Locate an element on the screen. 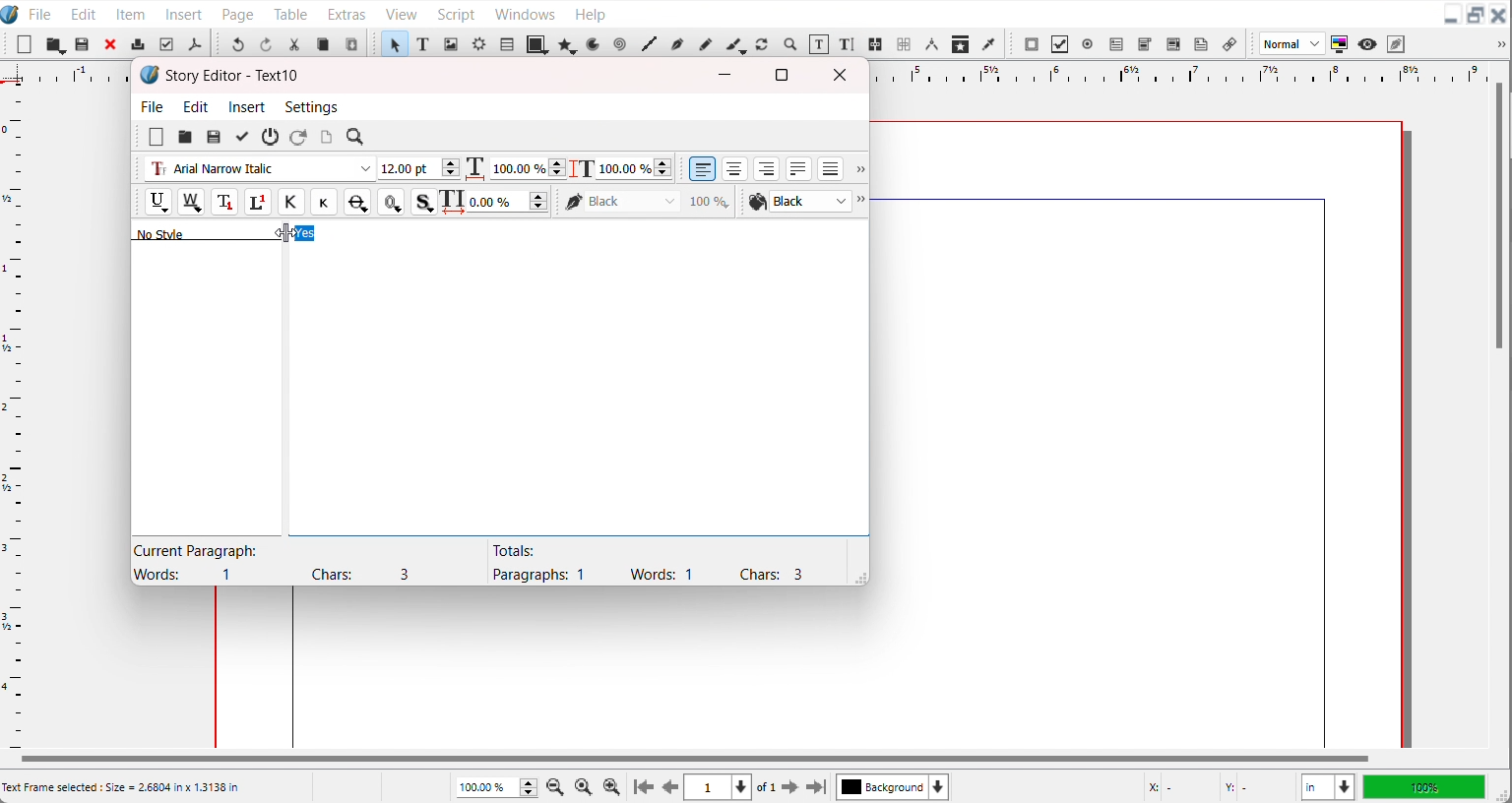  New  is located at coordinates (157, 137).